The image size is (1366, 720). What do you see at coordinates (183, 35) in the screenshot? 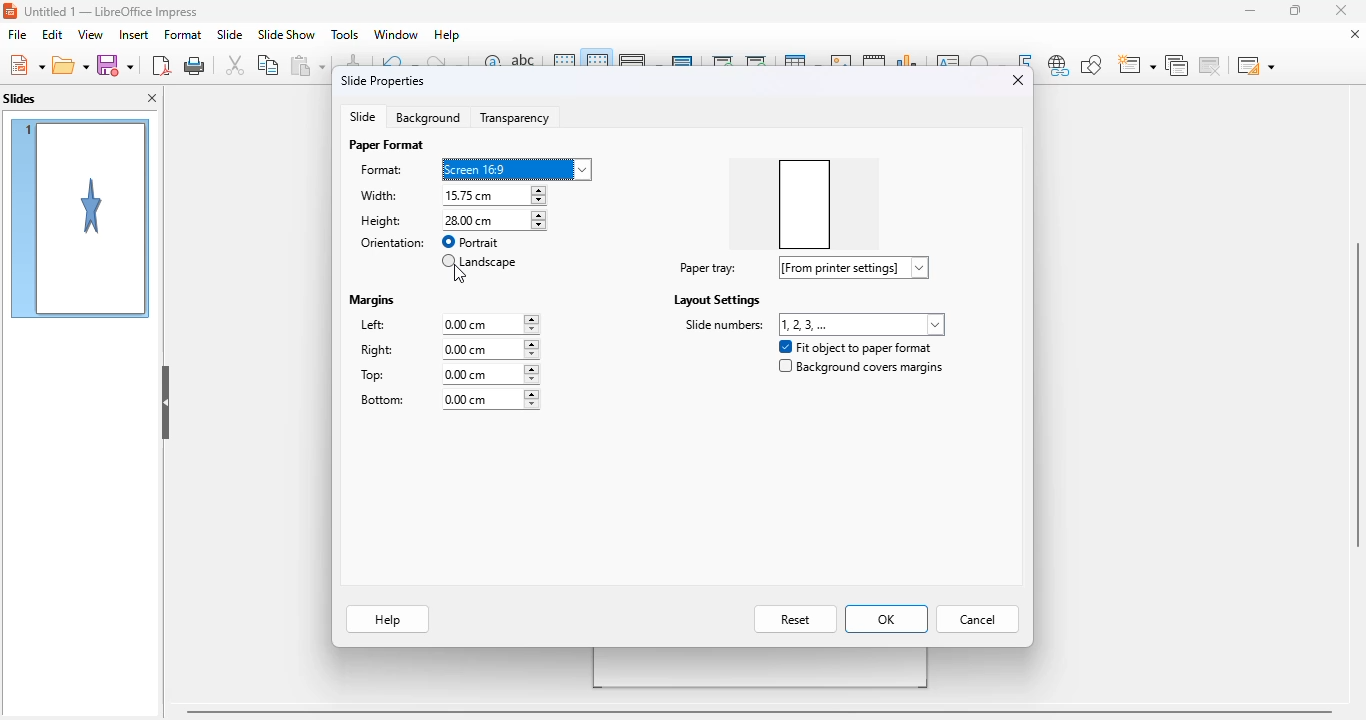
I see `format` at bounding box center [183, 35].